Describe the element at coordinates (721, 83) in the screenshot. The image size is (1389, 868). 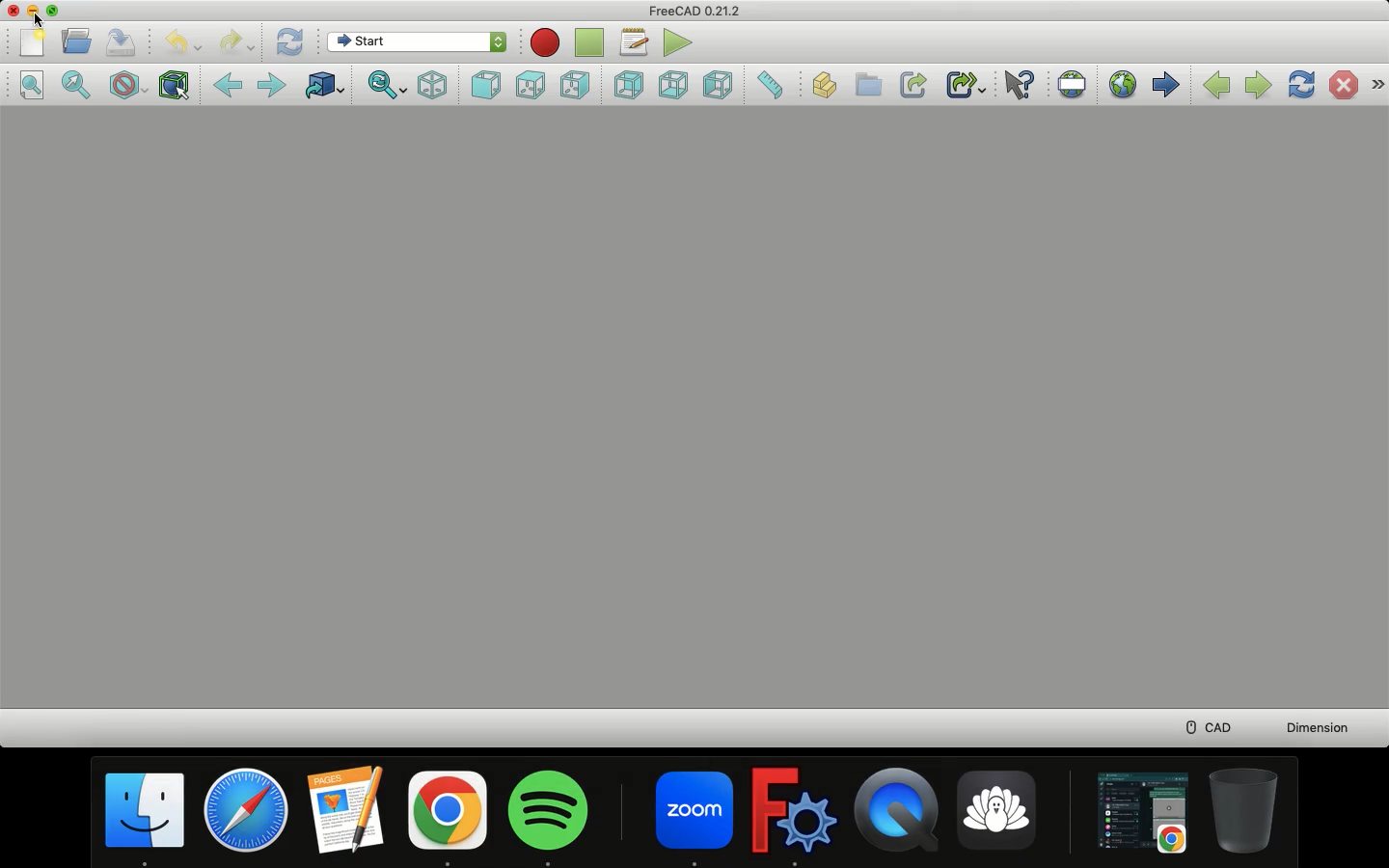
I see `Left` at that location.